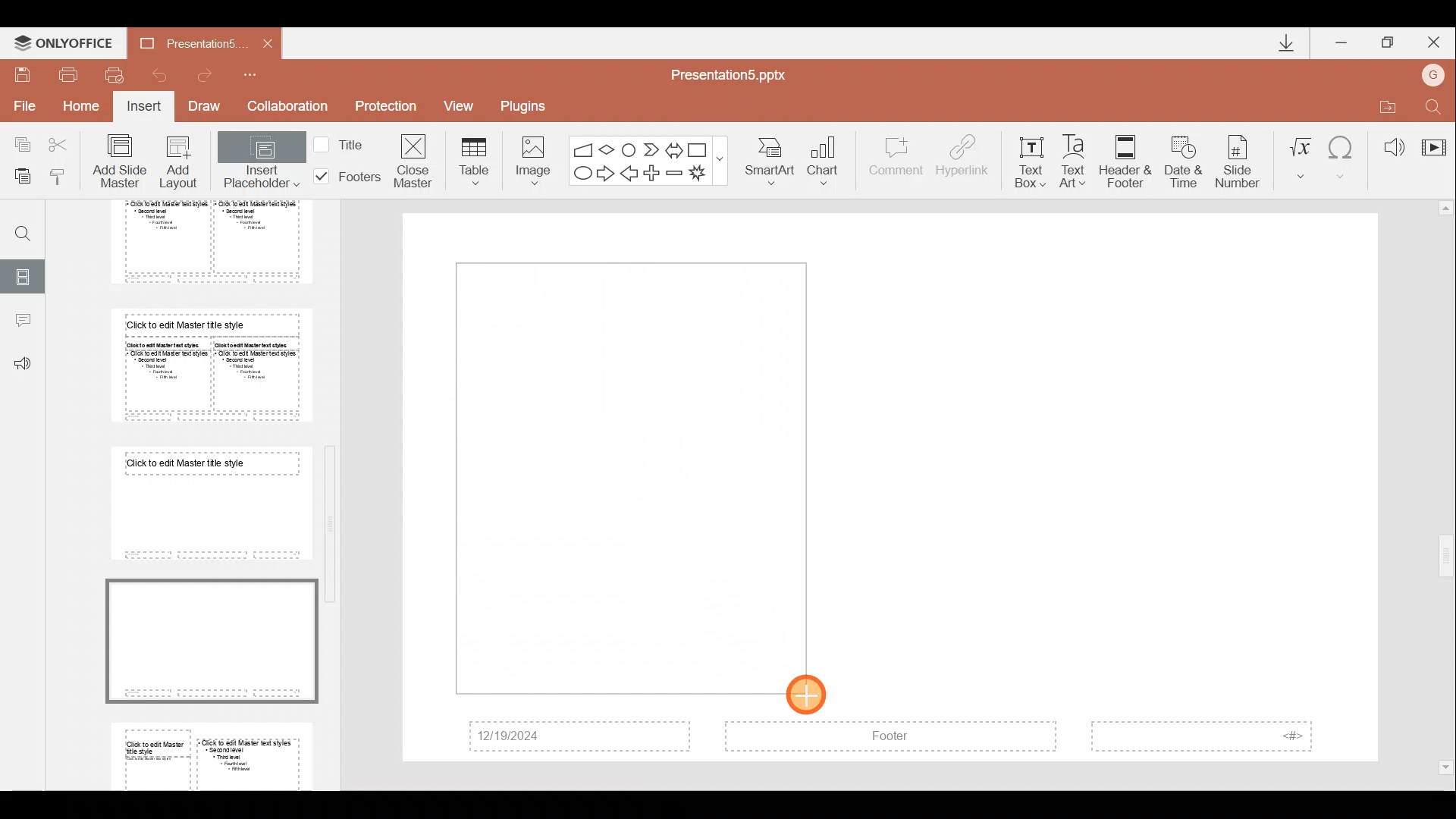  Describe the element at coordinates (199, 242) in the screenshot. I see `Slide 5` at that location.